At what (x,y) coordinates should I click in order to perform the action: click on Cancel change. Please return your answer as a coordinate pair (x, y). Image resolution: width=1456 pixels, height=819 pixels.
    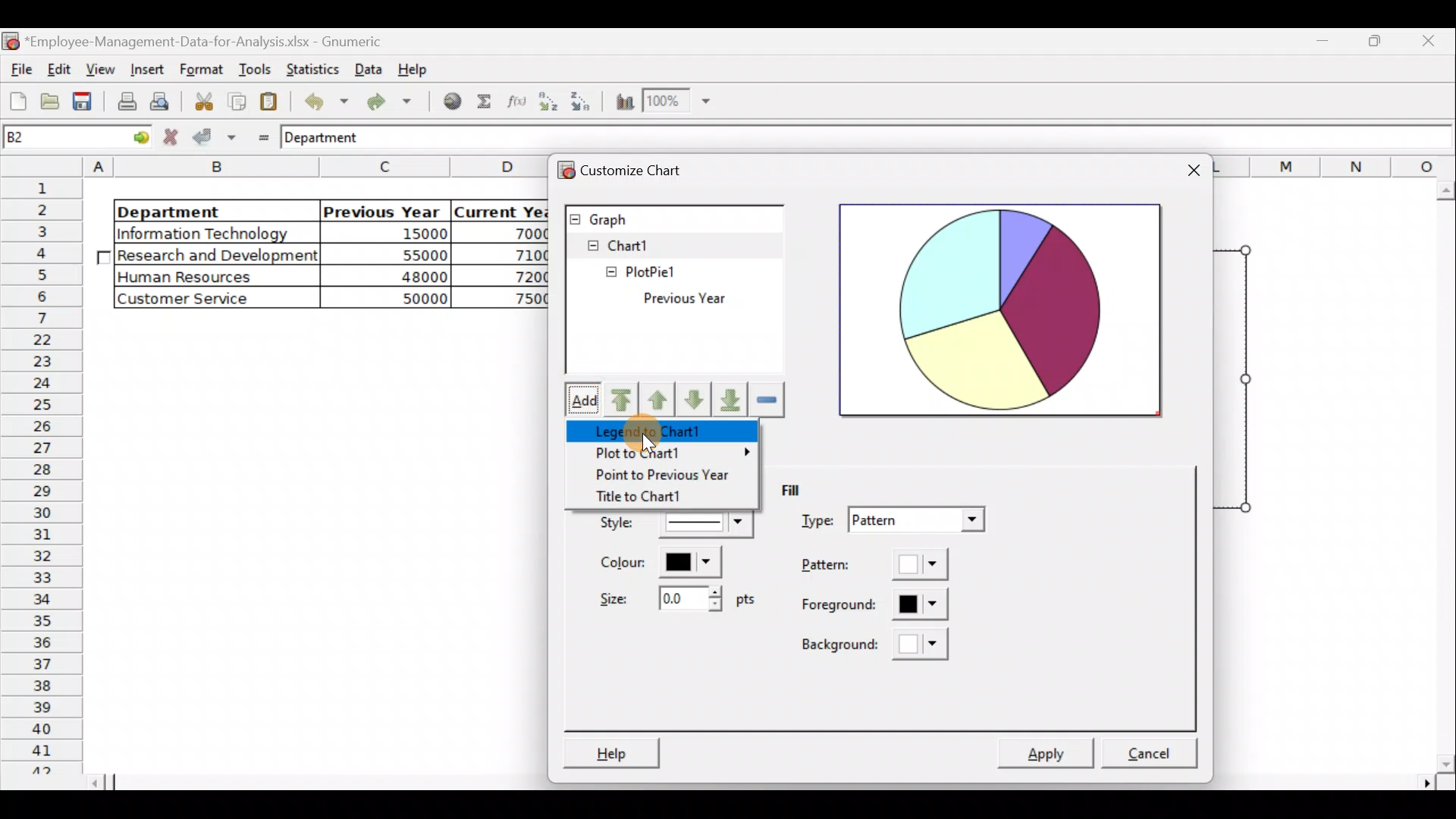
    Looking at the image, I should click on (172, 138).